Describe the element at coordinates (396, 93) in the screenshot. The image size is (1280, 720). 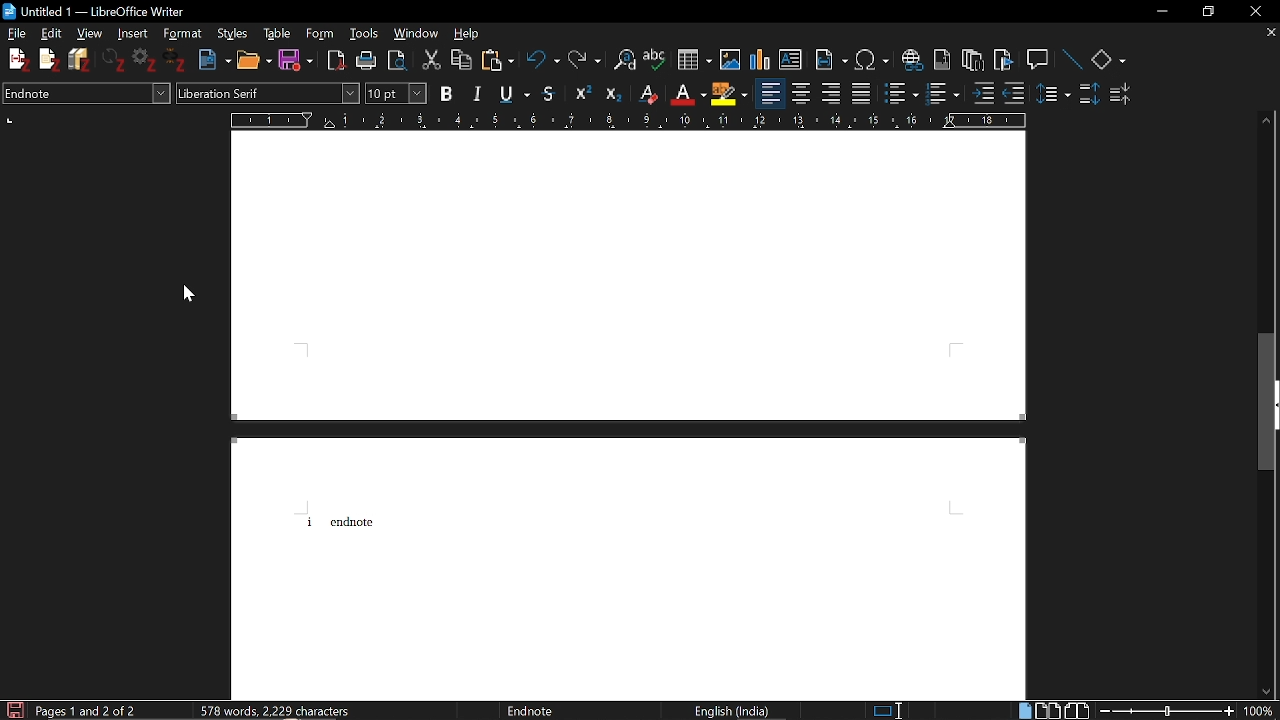
I see `Font size` at that location.